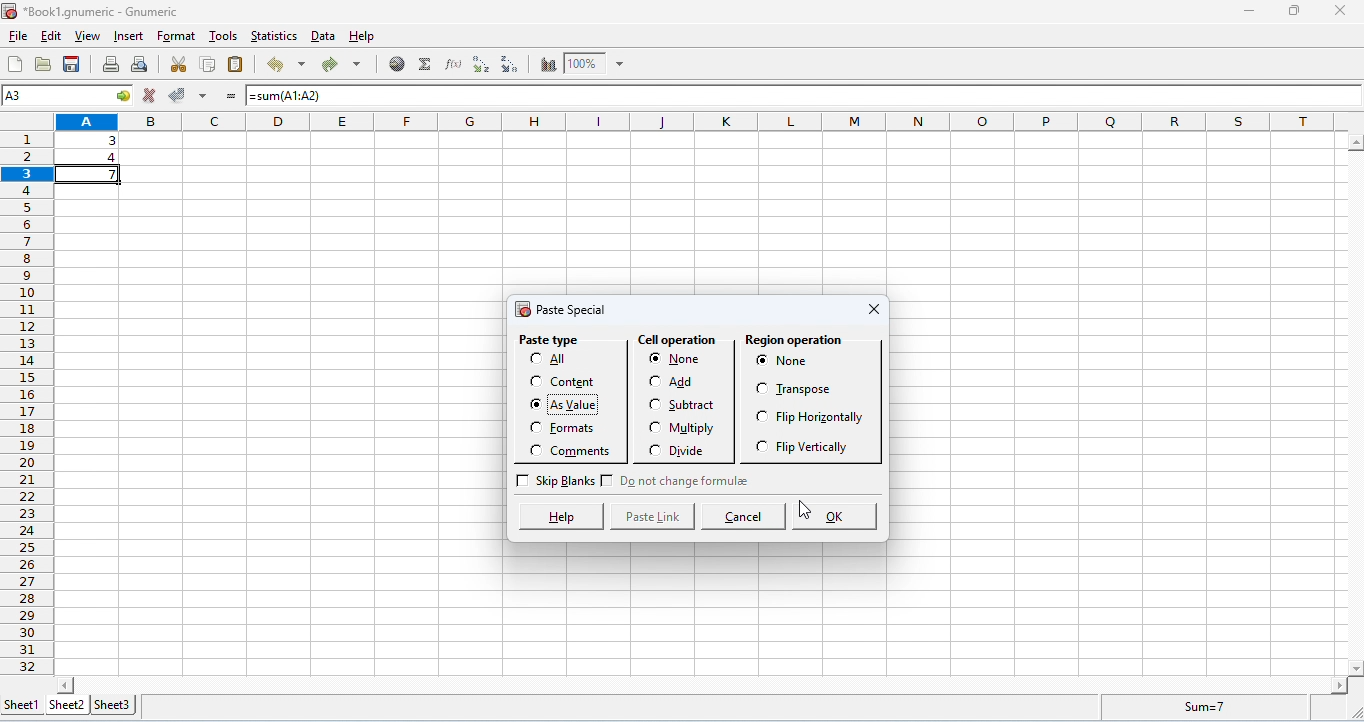 This screenshot has height=722, width=1364. I want to click on Checkbox, so click(655, 359).